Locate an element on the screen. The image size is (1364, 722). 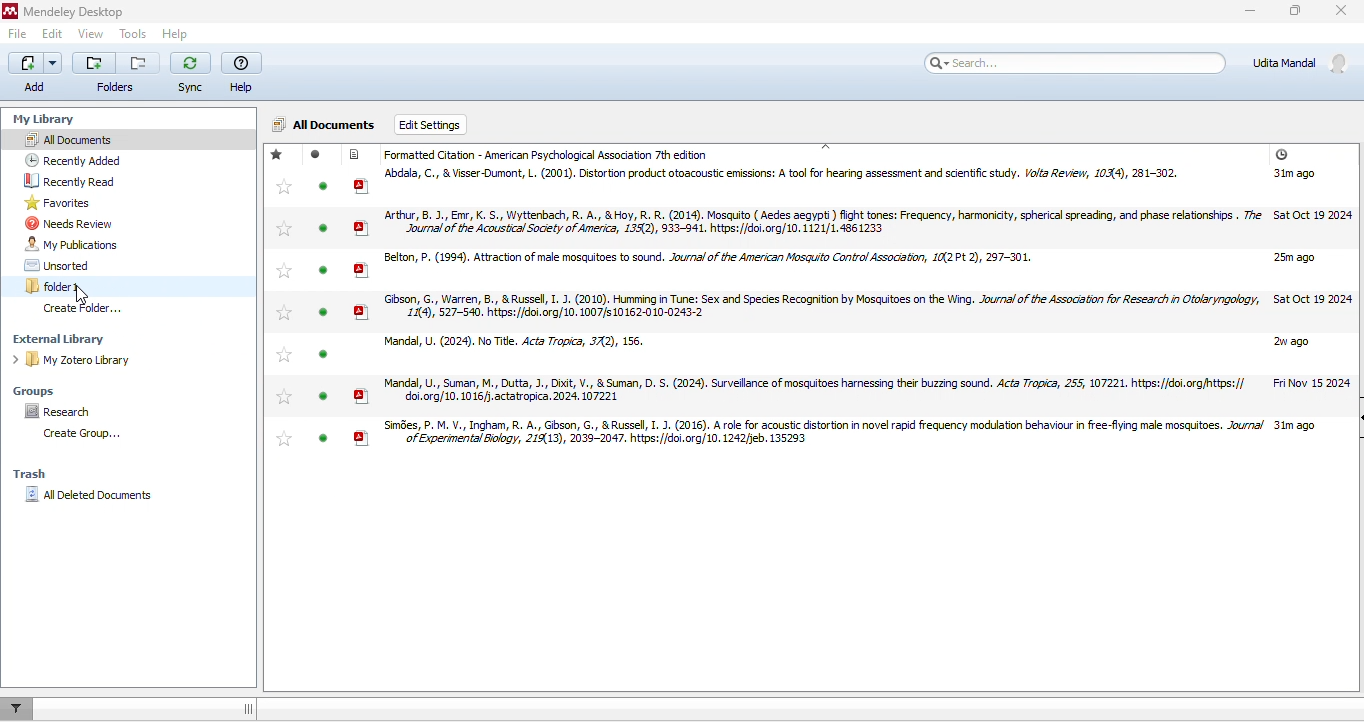
edit settings is located at coordinates (460, 125).